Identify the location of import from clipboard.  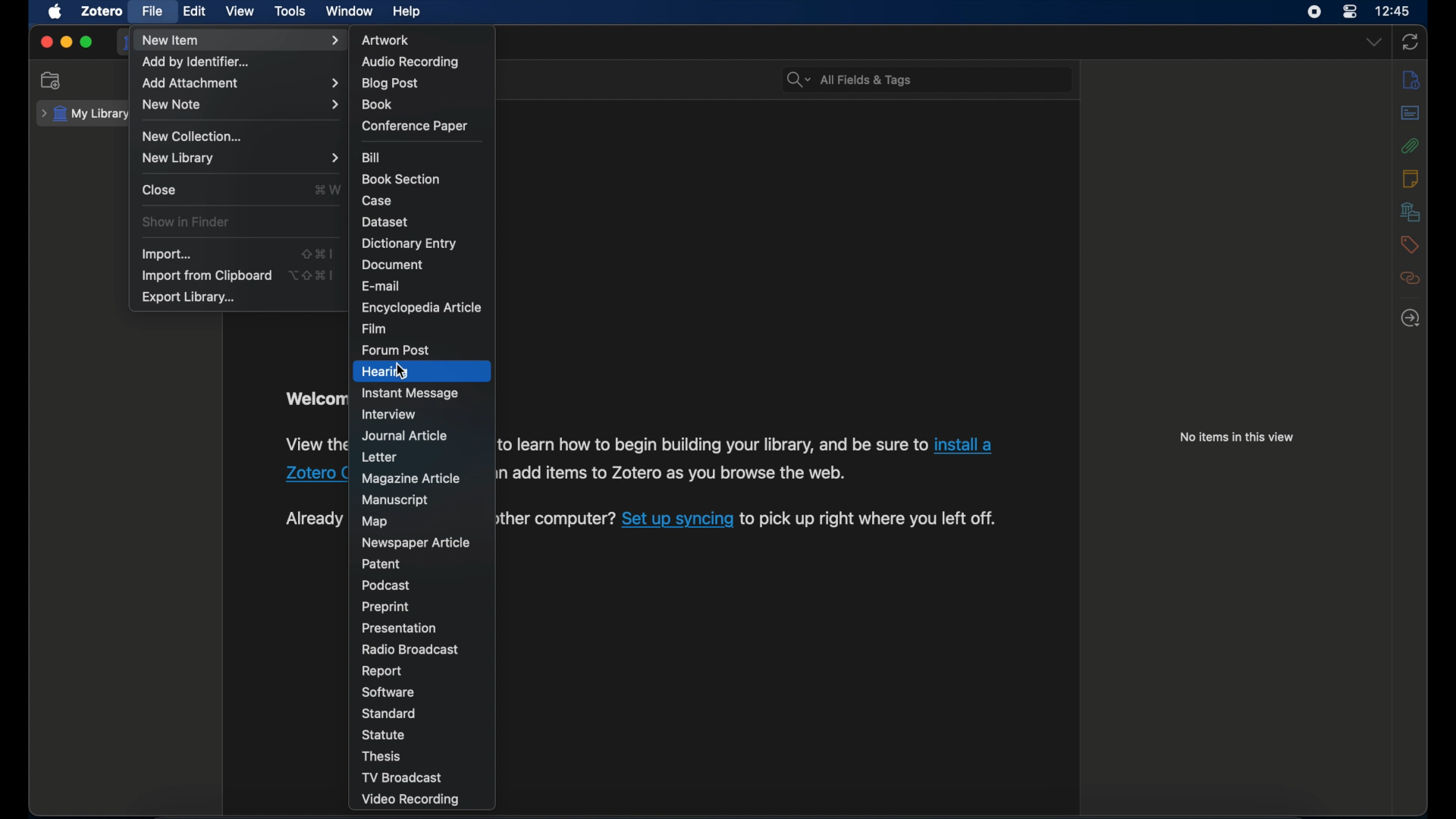
(206, 275).